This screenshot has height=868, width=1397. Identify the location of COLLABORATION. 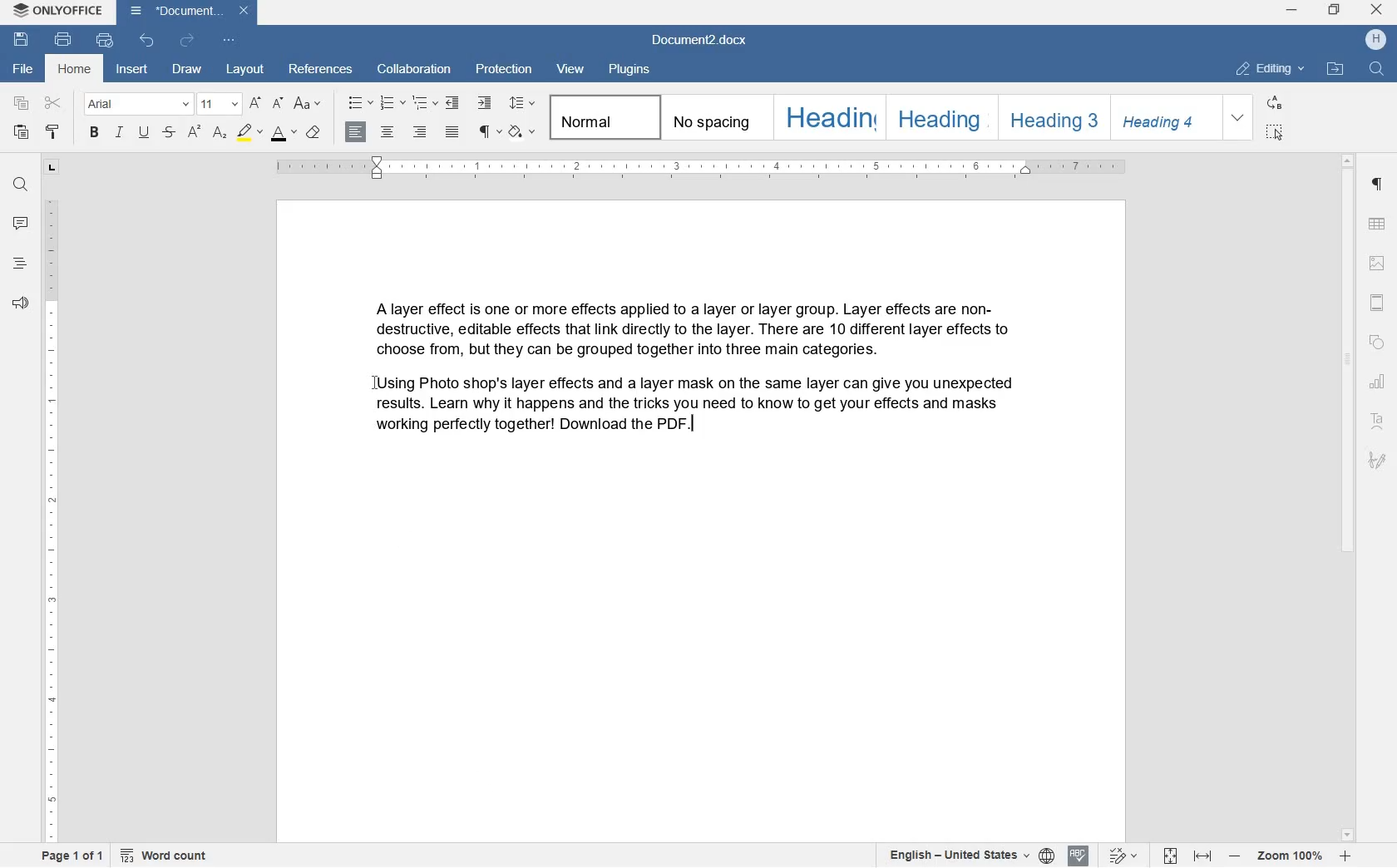
(415, 69).